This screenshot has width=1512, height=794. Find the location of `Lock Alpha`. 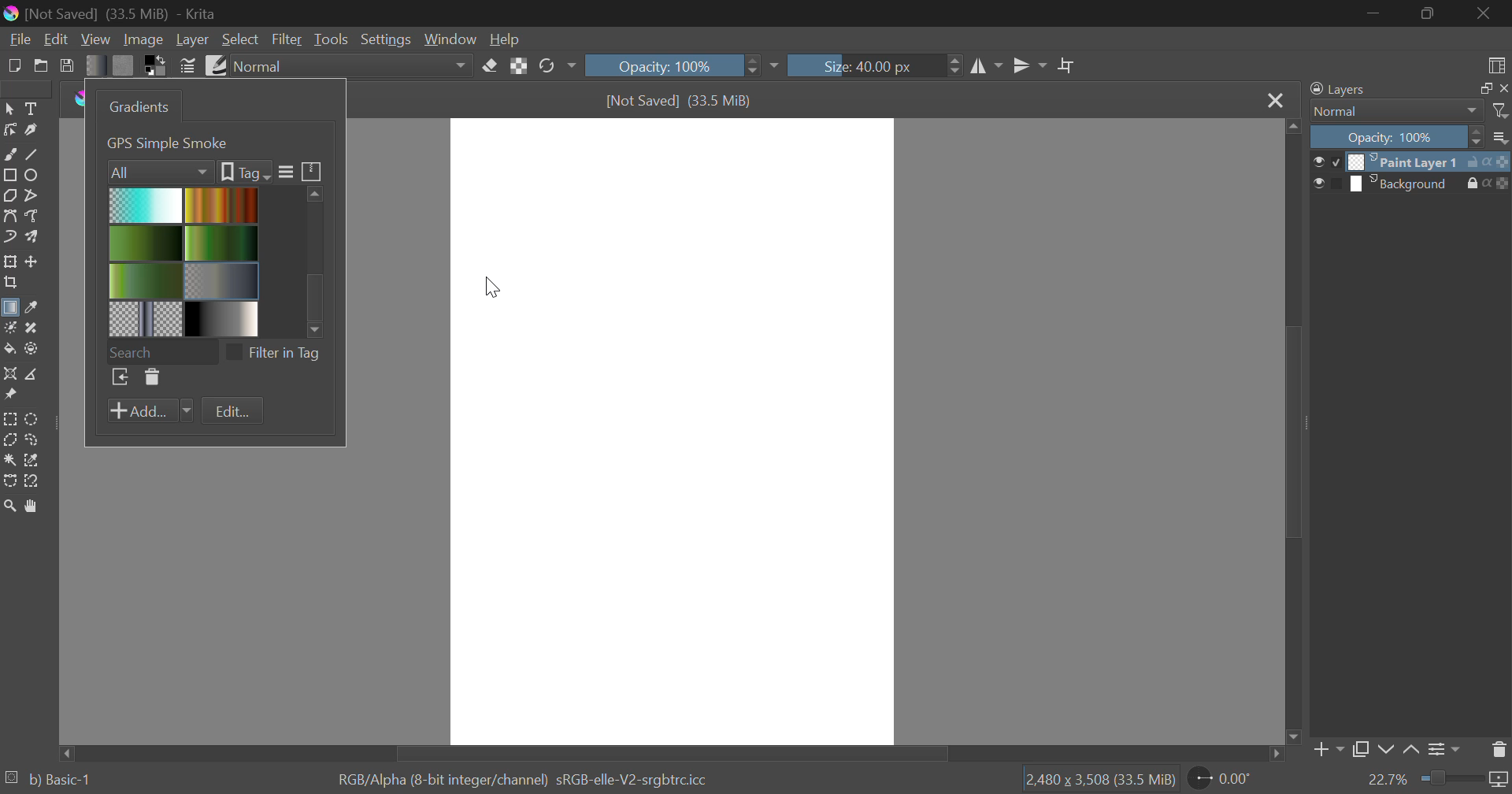

Lock Alpha is located at coordinates (518, 66).